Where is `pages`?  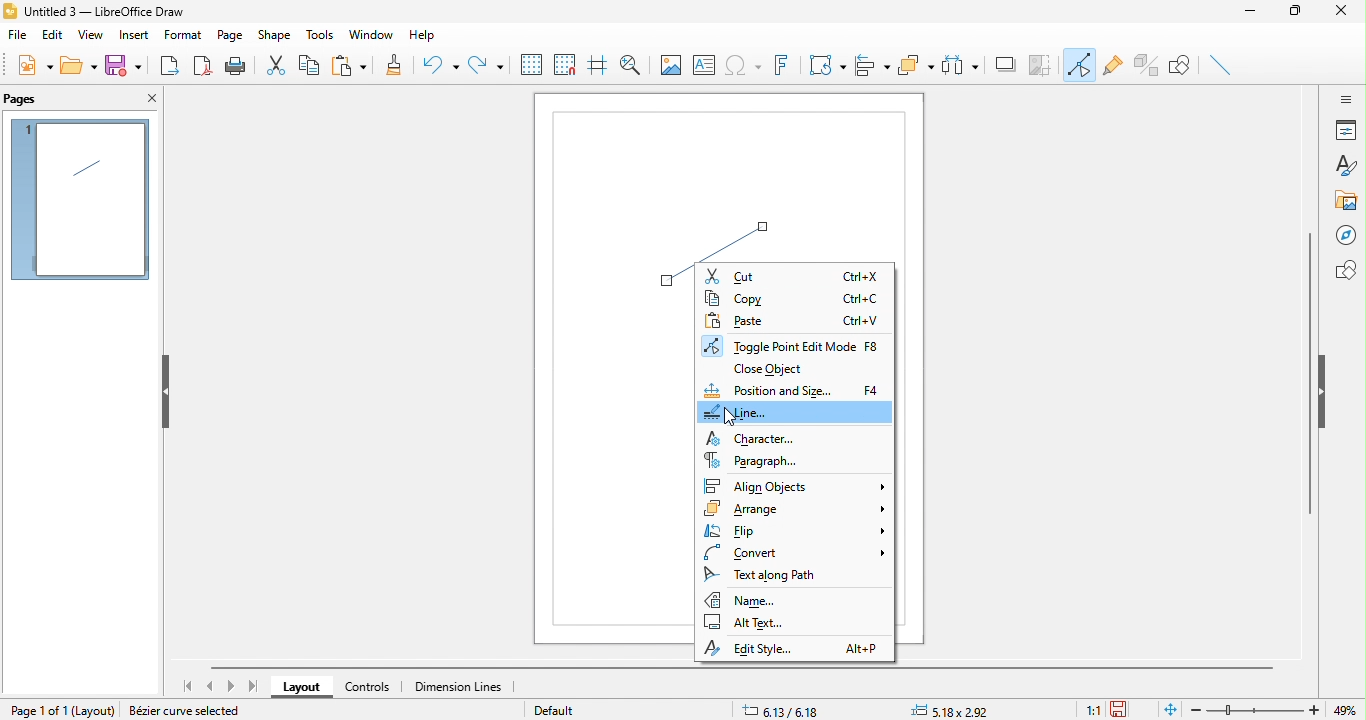 pages is located at coordinates (36, 98).